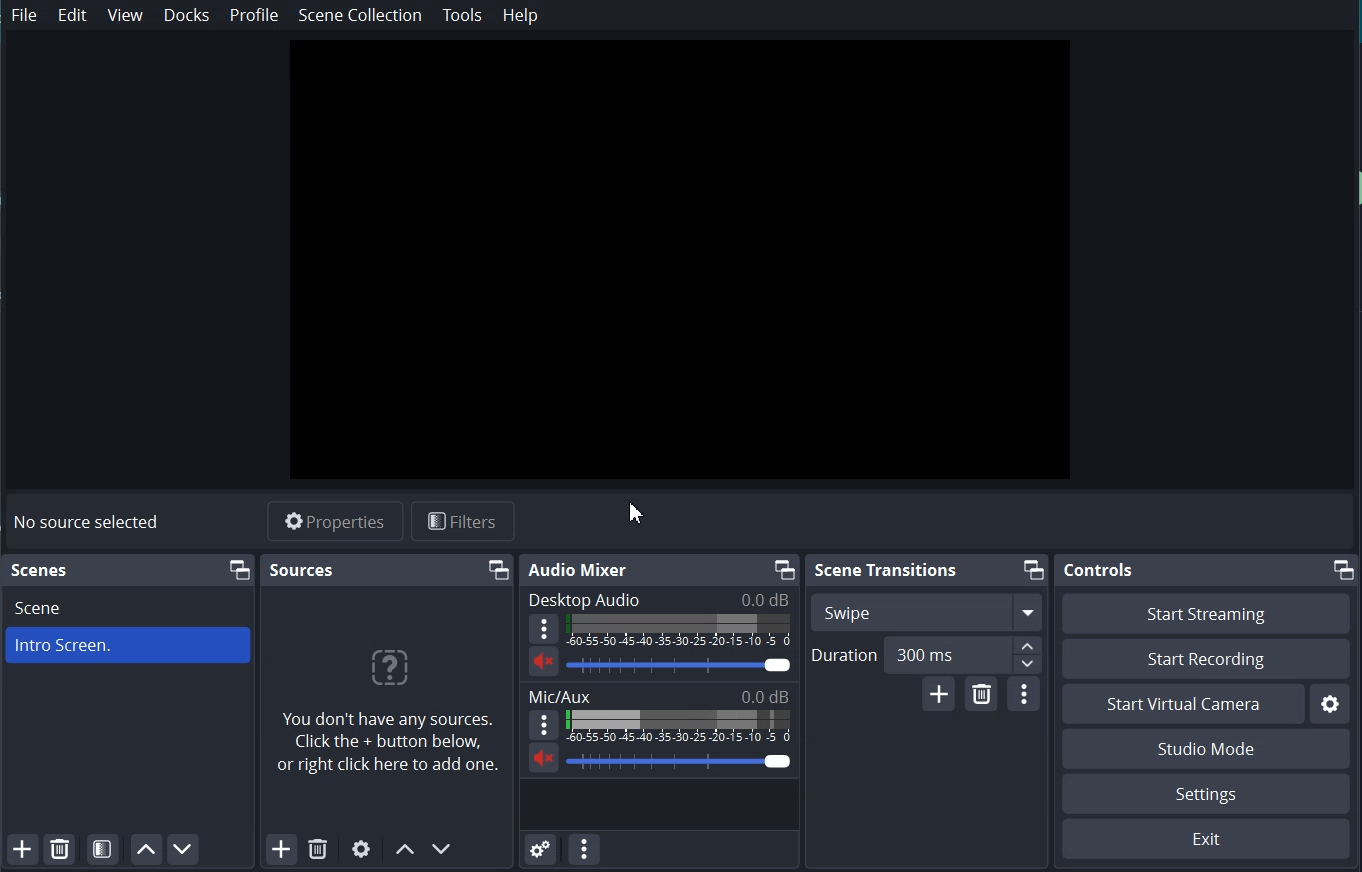 This screenshot has width=1362, height=872. Describe the element at coordinates (544, 724) in the screenshot. I see `More` at that location.